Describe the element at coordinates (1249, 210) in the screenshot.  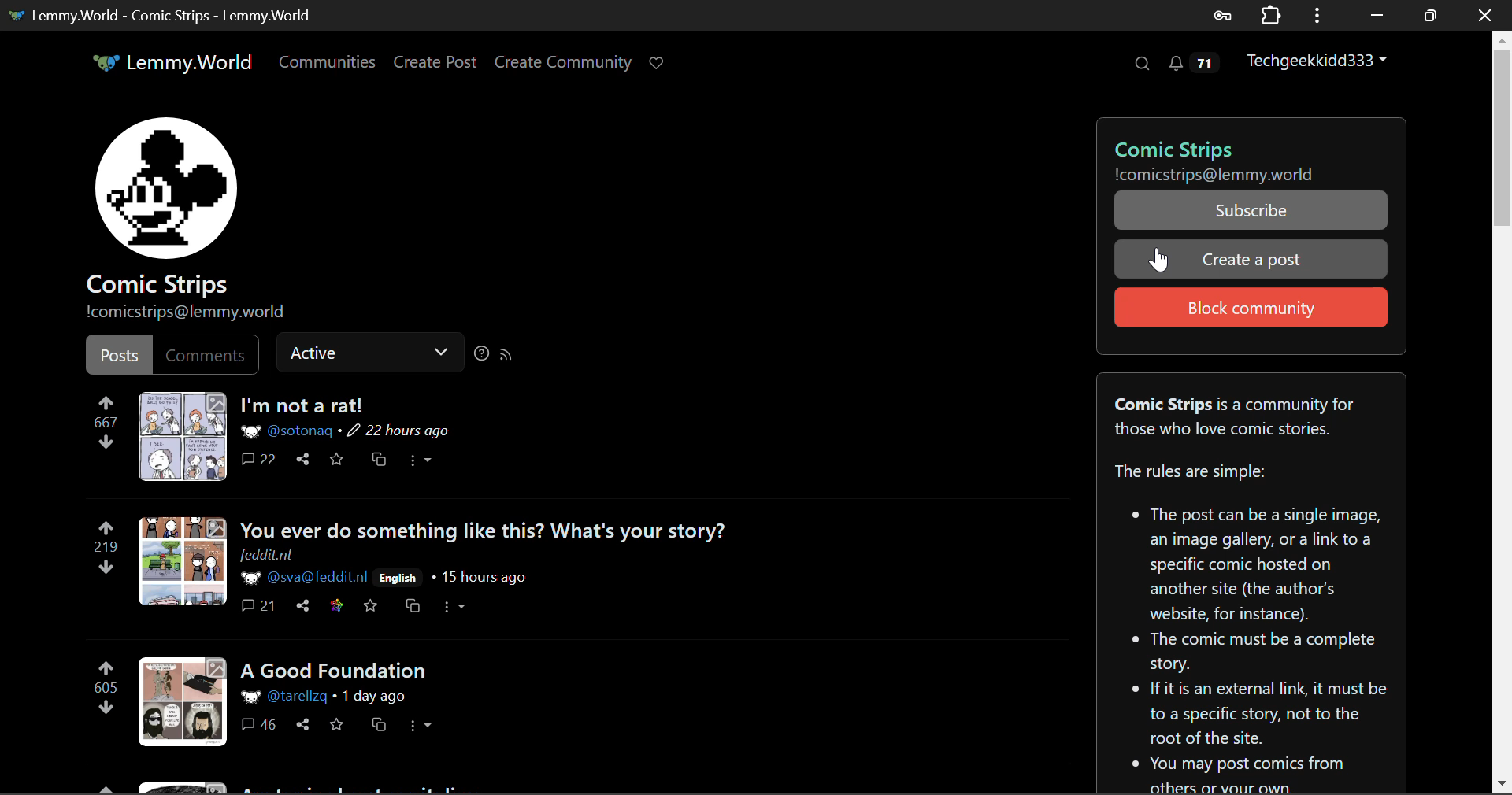
I see `Subscribe` at that location.